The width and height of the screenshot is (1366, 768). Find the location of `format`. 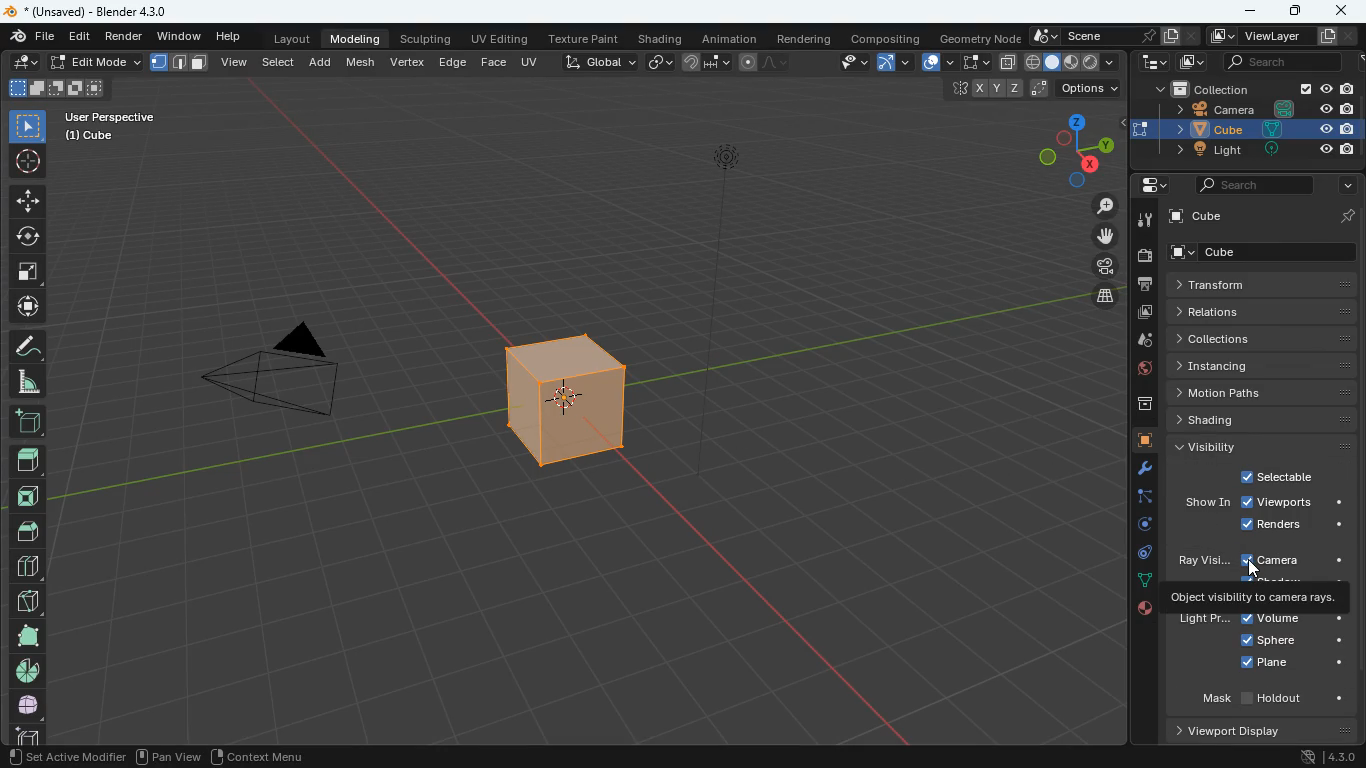

format is located at coordinates (184, 65).